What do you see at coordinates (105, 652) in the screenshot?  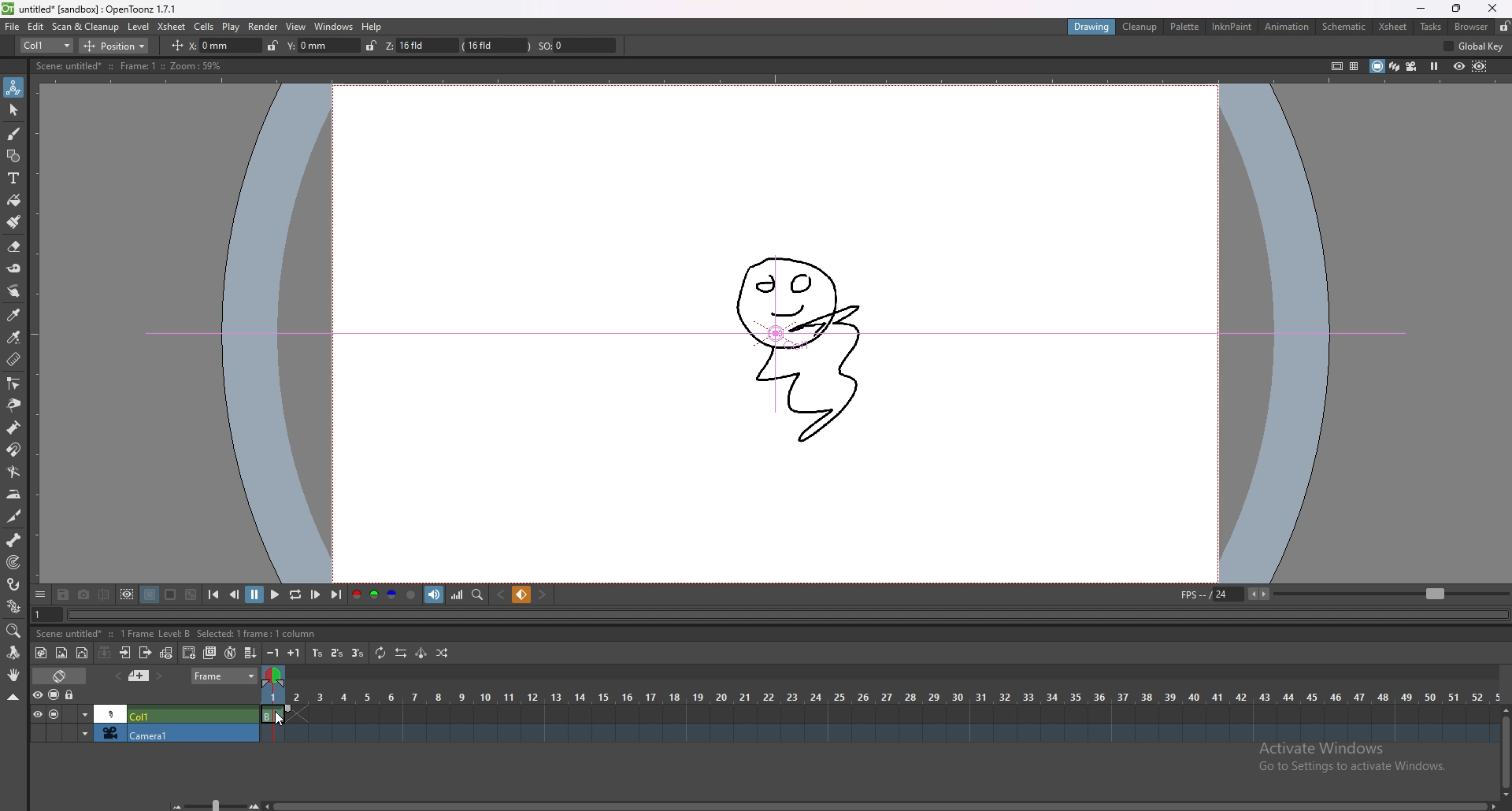 I see `collapse` at bounding box center [105, 652].